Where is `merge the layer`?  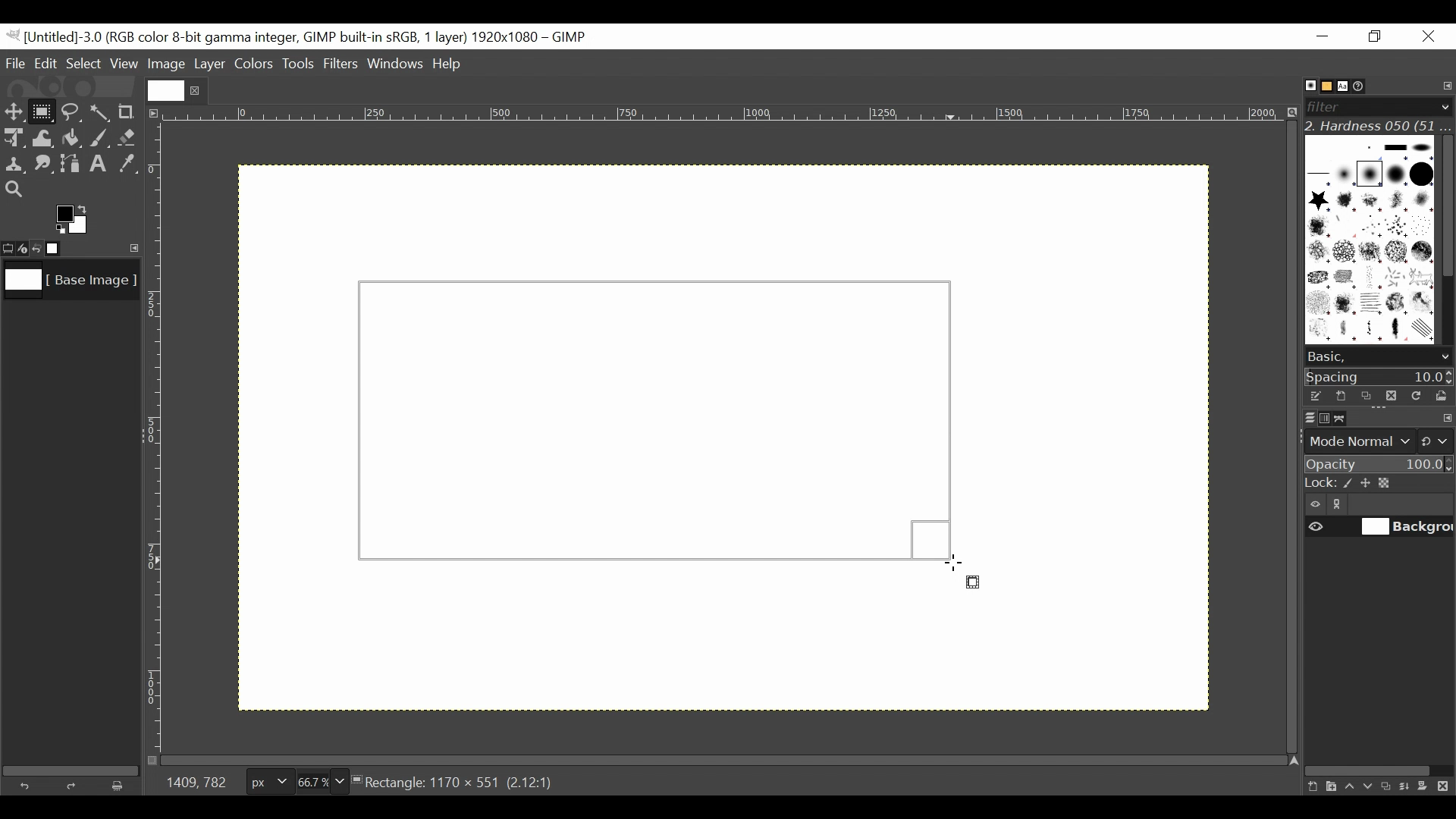
merge the layer is located at coordinates (1408, 786).